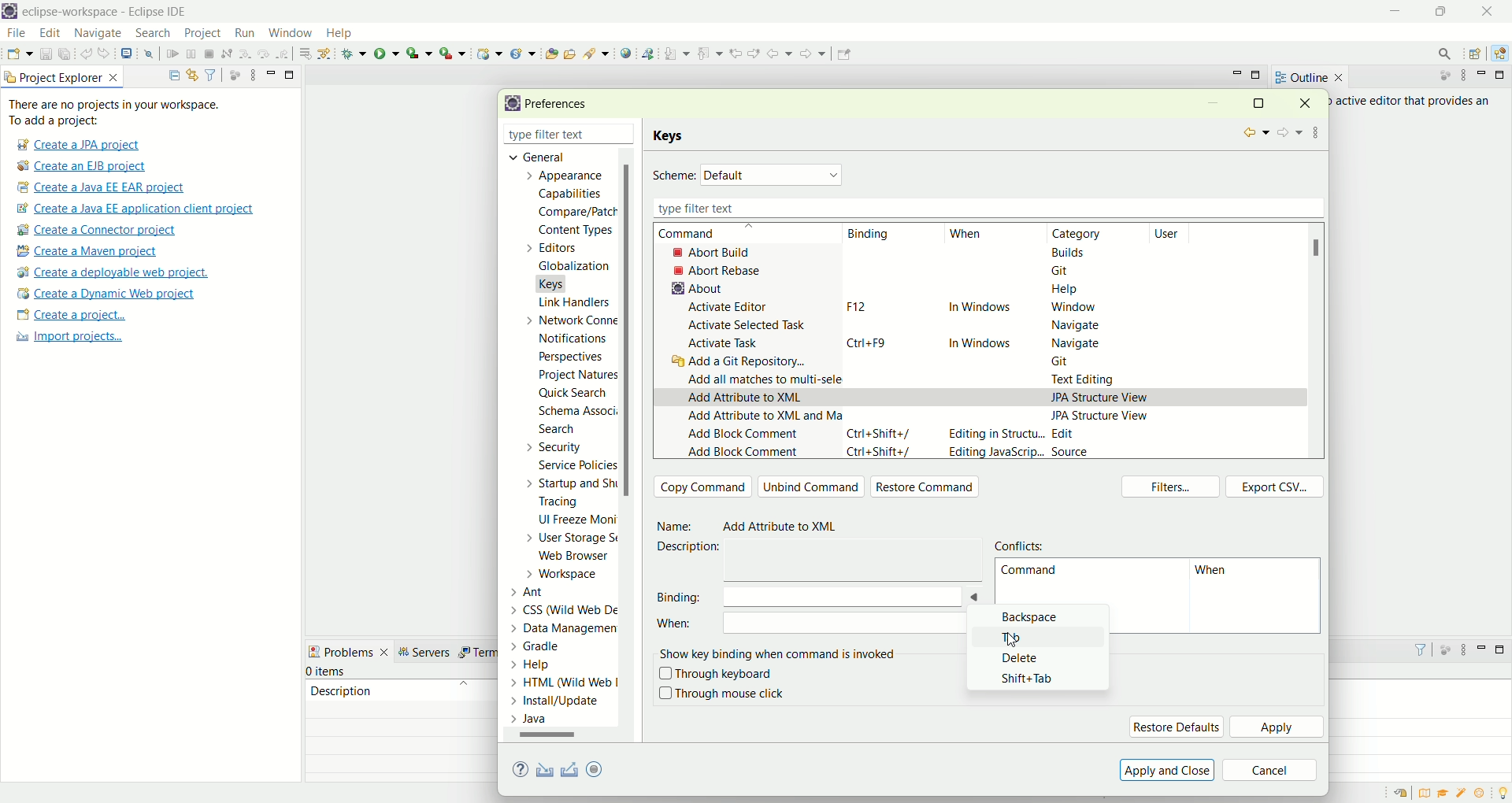  What do you see at coordinates (547, 666) in the screenshot?
I see `Help` at bounding box center [547, 666].